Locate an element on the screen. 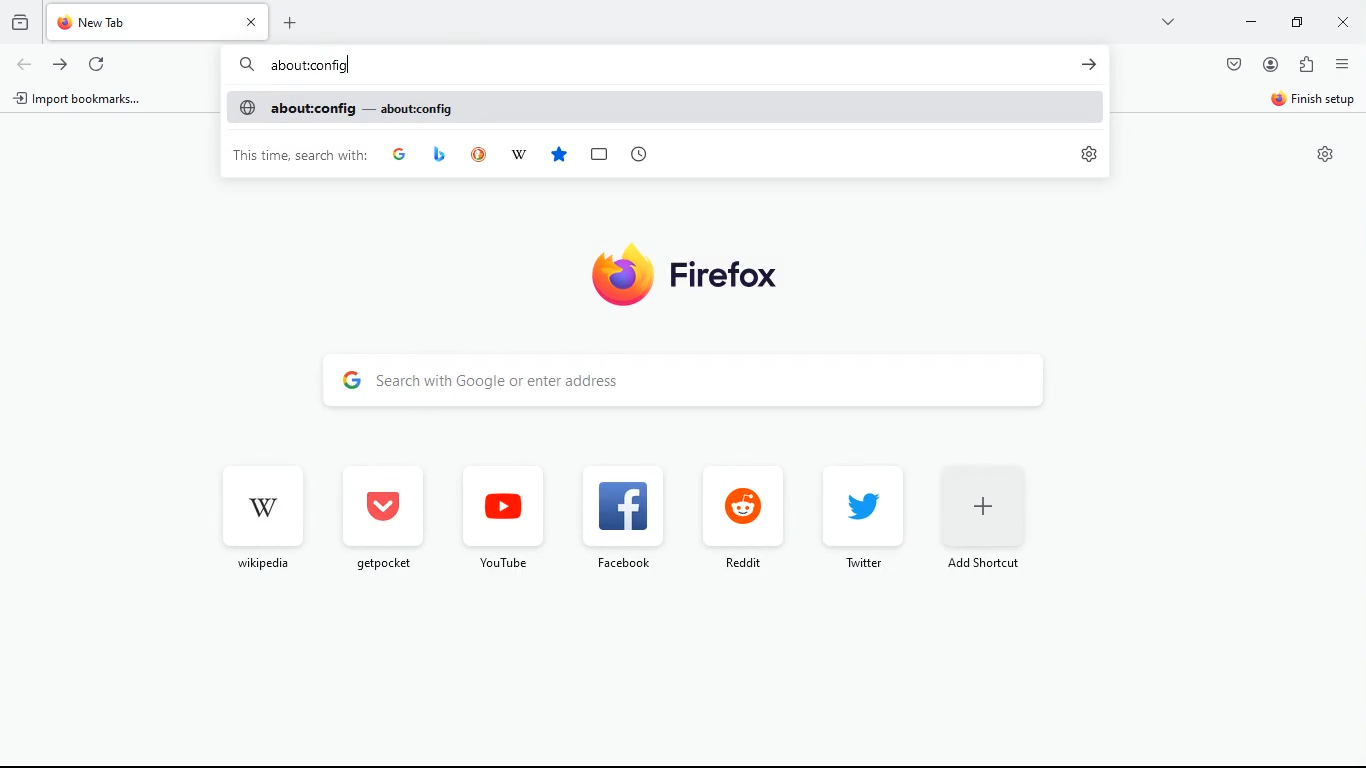  import bookmarks is located at coordinates (80, 100).